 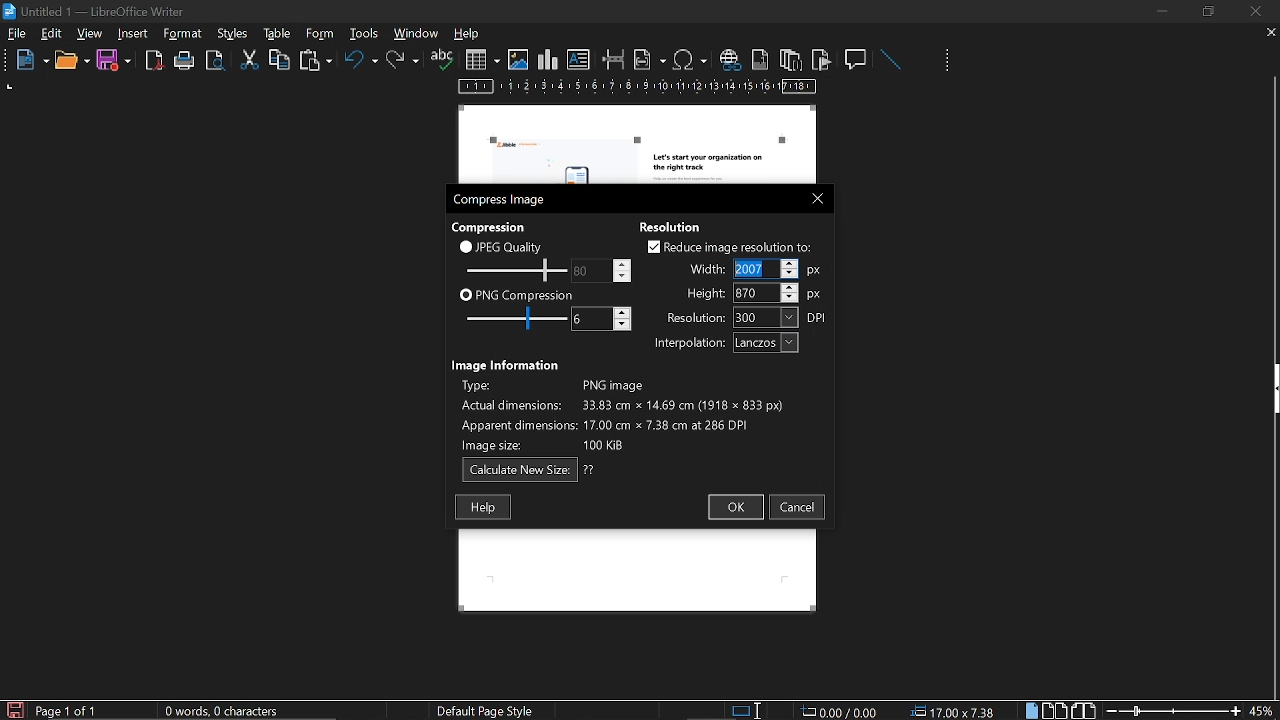 What do you see at coordinates (1271, 34) in the screenshot?
I see `close tab` at bounding box center [1271, 34].